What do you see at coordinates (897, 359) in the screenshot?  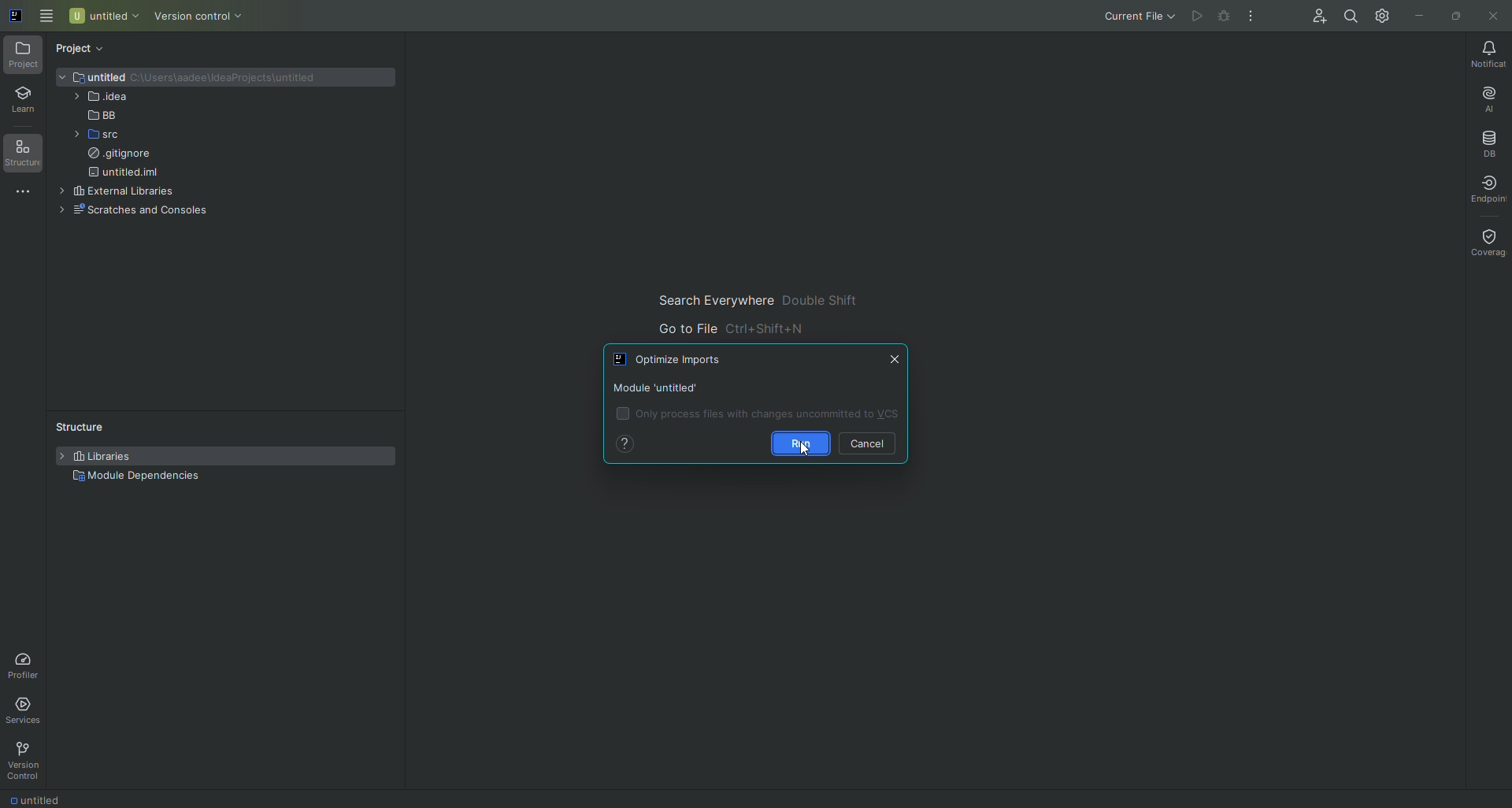 I see `Close` at bounding box center [897, 359].